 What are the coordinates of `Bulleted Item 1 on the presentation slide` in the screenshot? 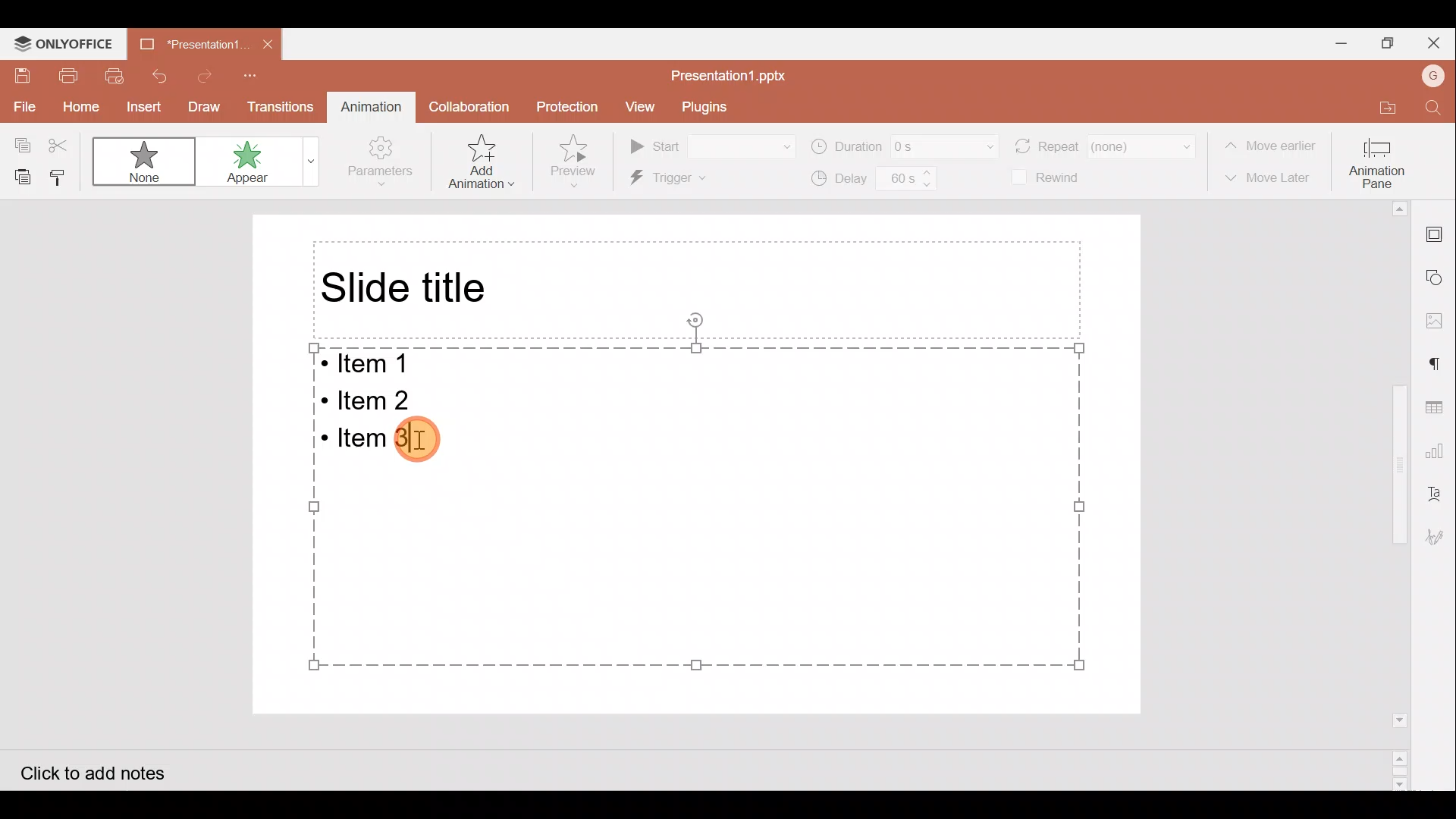 It's located at (372, 365).